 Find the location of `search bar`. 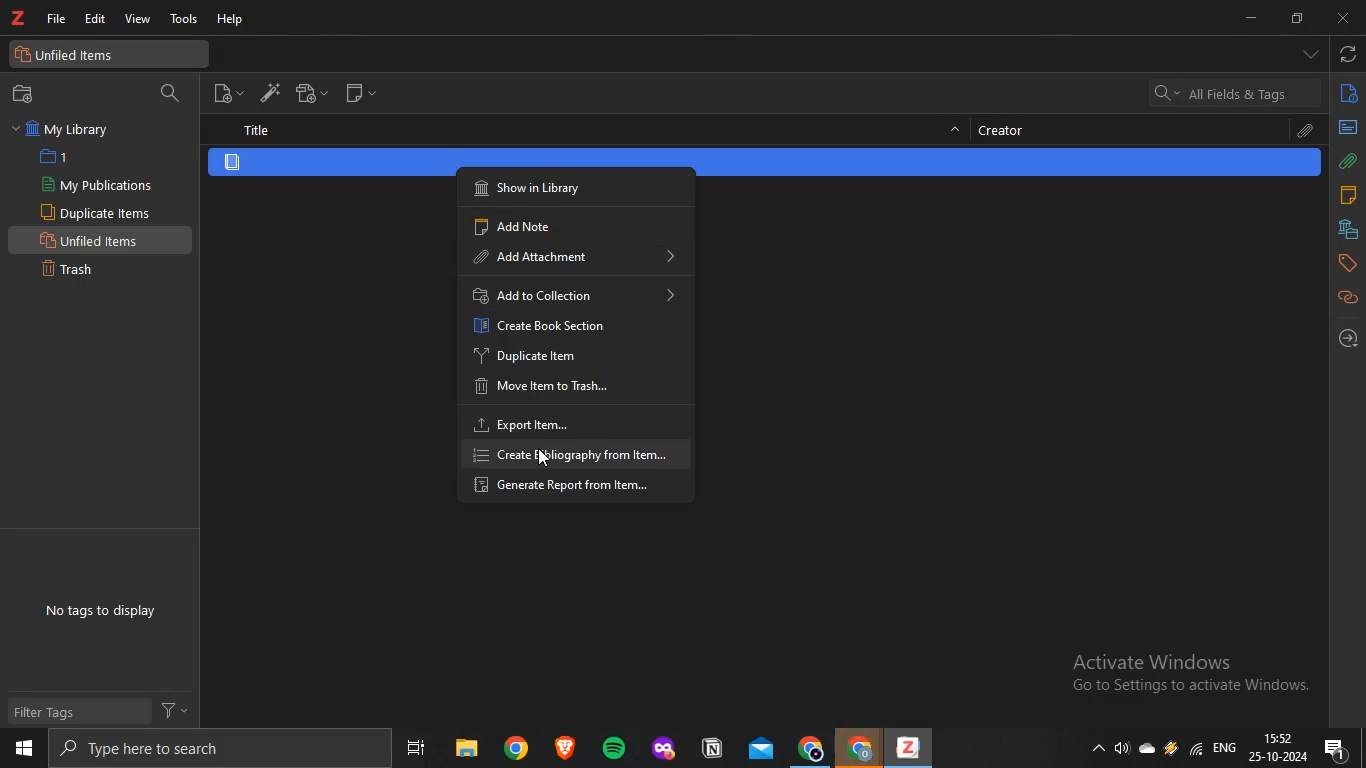

search bar is located at coordinates (1234, 92).